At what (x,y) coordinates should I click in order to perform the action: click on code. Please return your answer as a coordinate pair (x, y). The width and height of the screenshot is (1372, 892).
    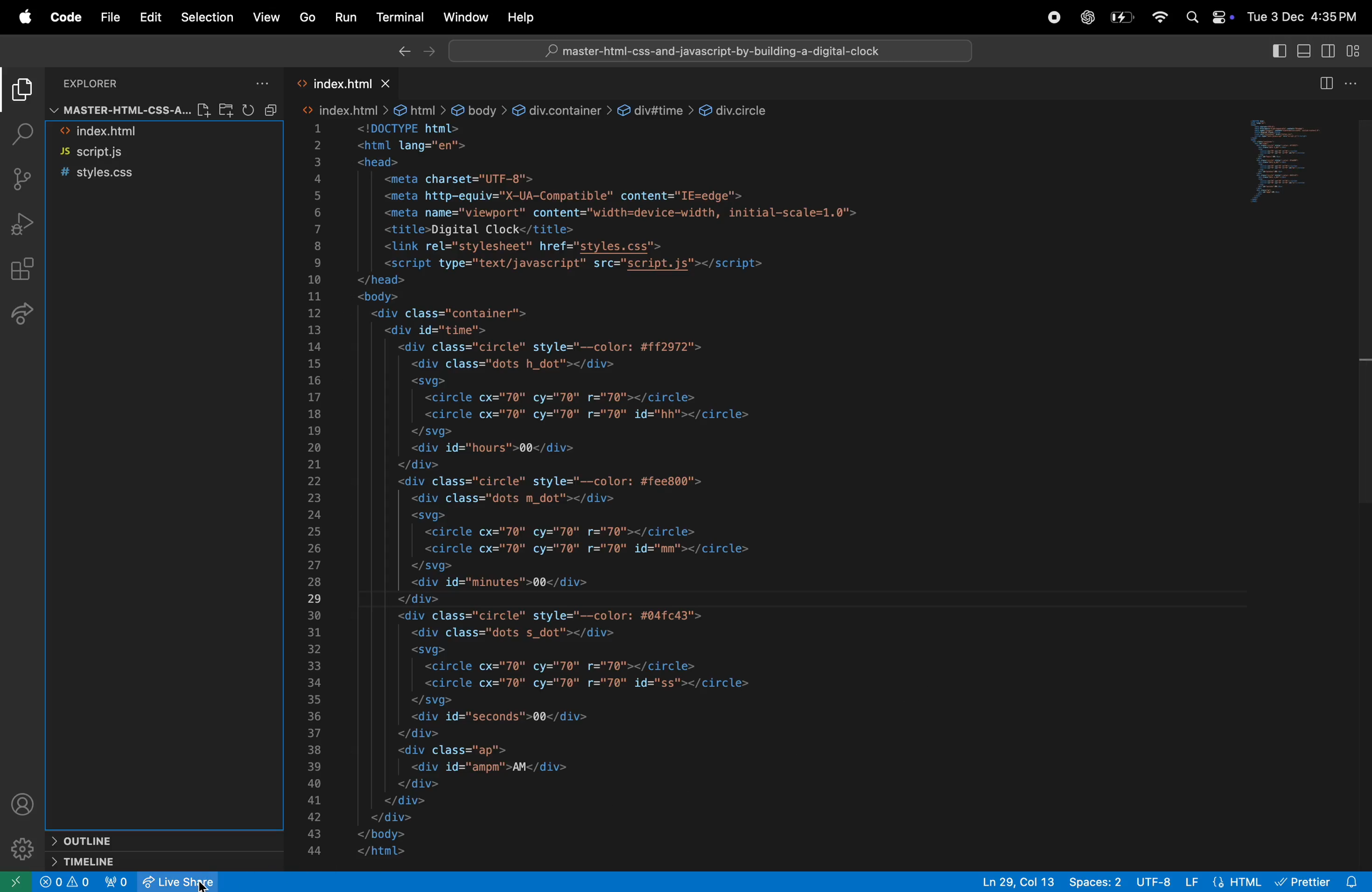
    Looking at the image, I should click on (63, 16).